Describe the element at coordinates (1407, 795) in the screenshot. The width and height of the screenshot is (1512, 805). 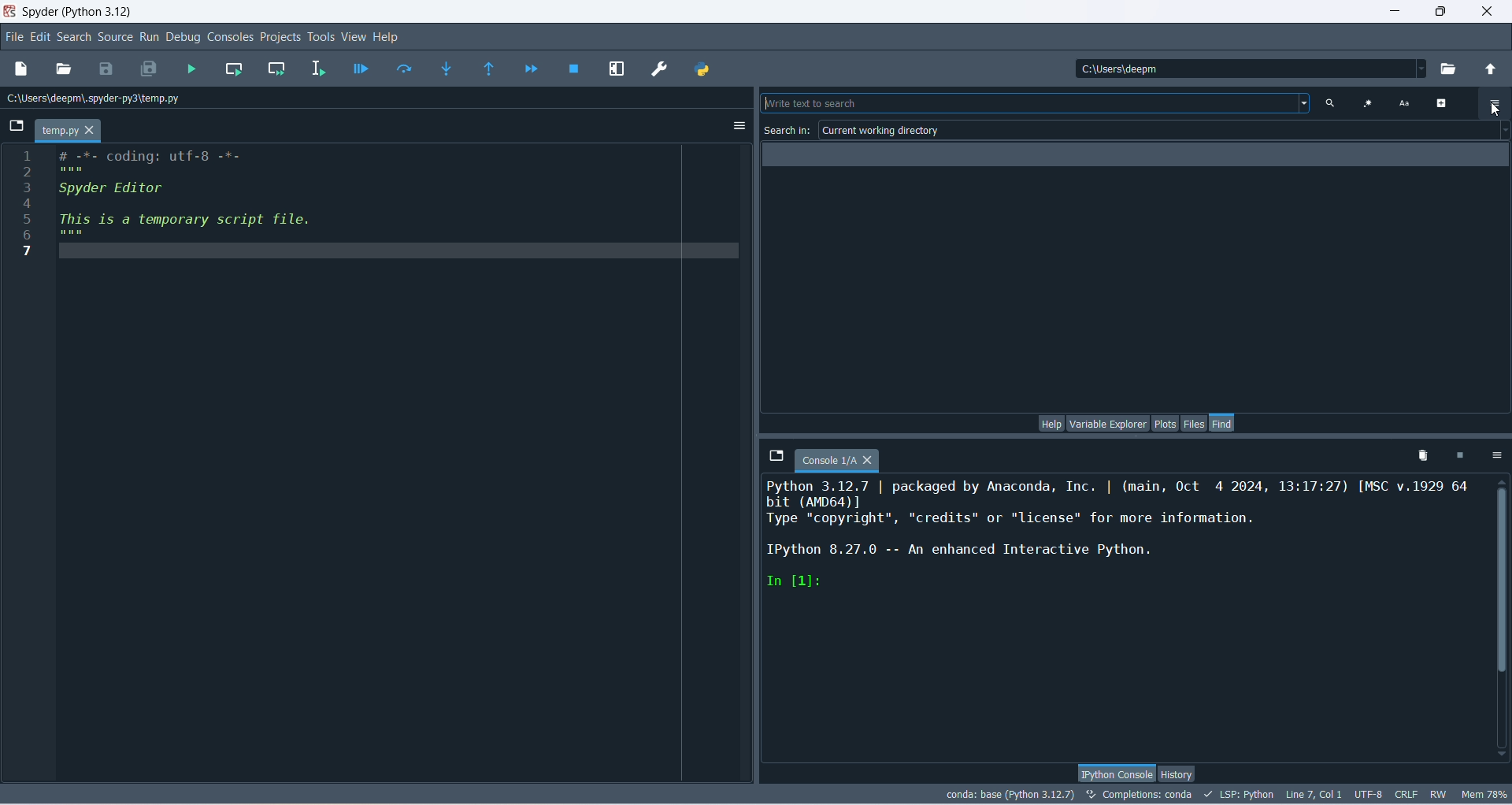
I see `CRLF` at that location.